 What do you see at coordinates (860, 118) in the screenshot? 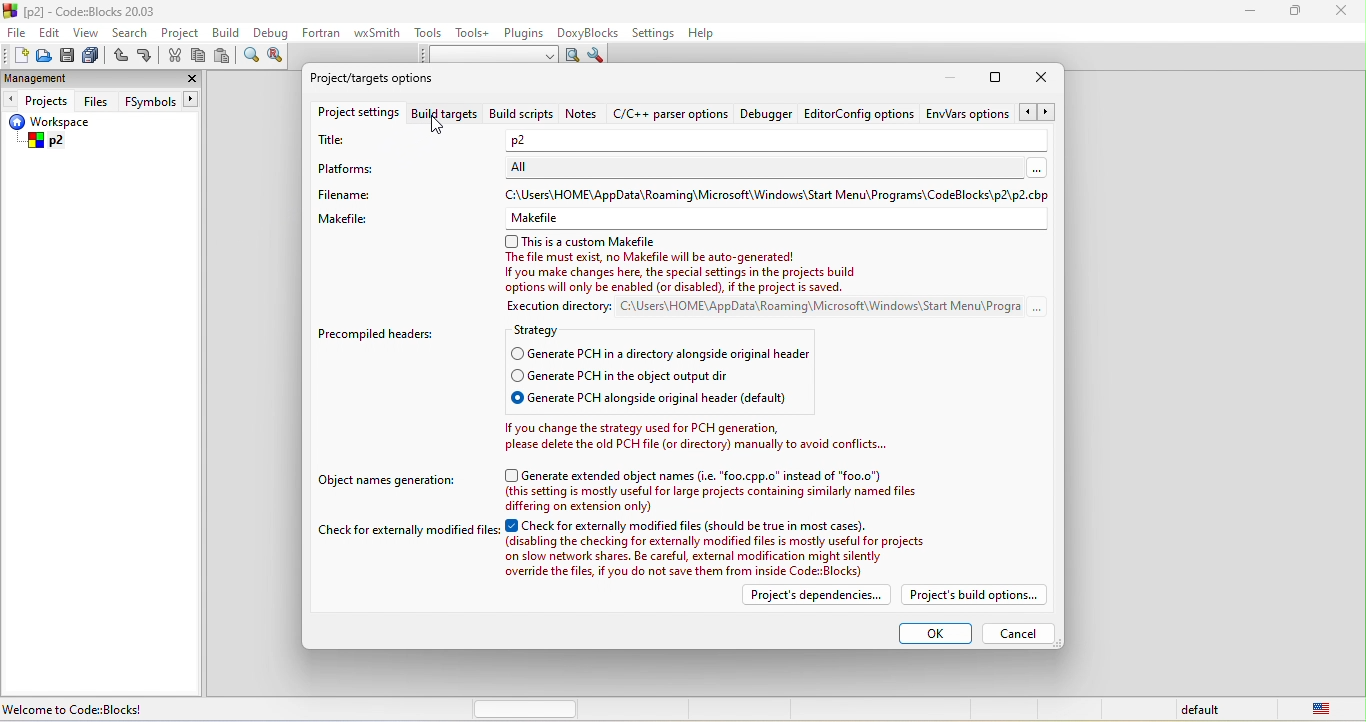
I see `editor config option` at bounding box center [860, 118].